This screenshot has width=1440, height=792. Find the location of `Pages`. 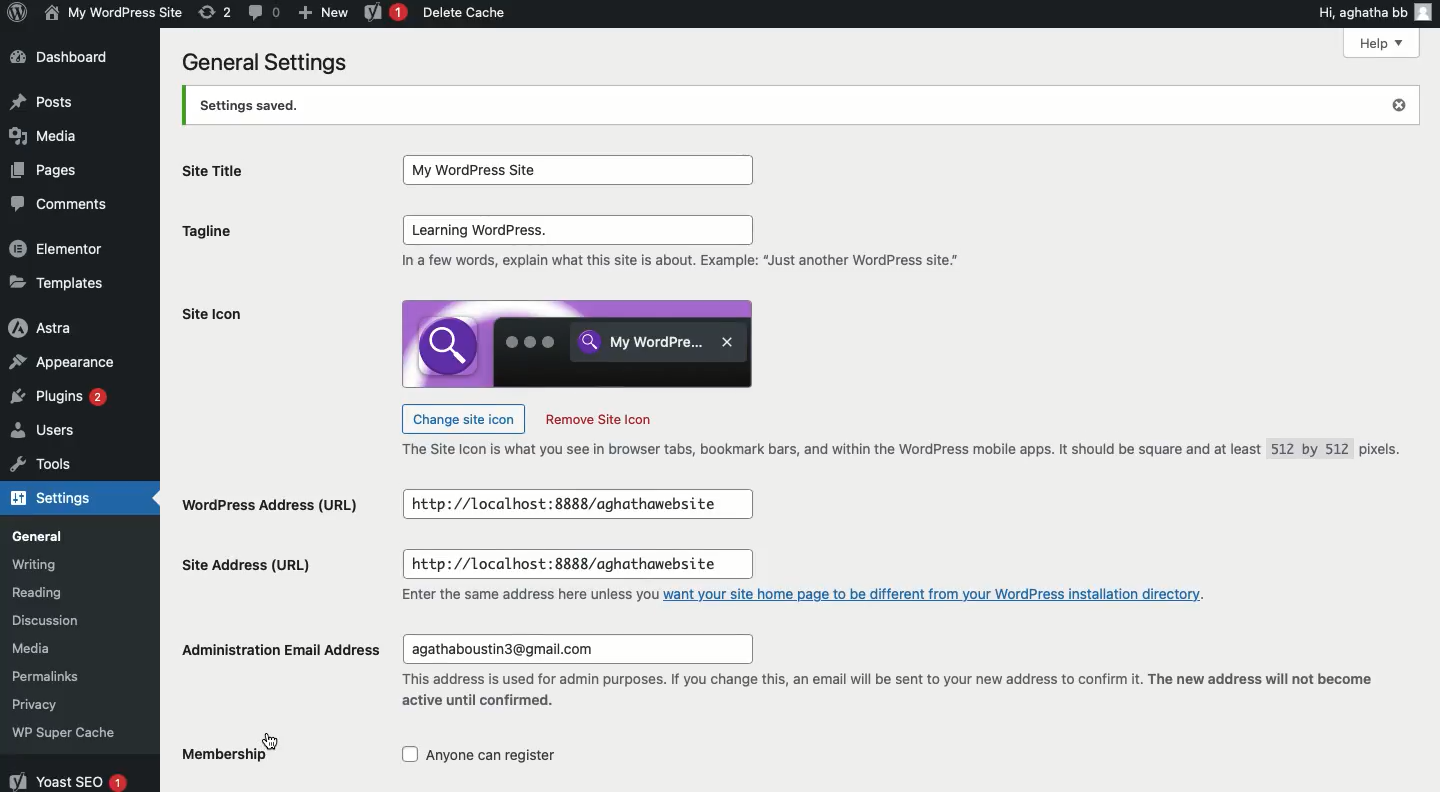

Pages is located at coordinates (49, 171).